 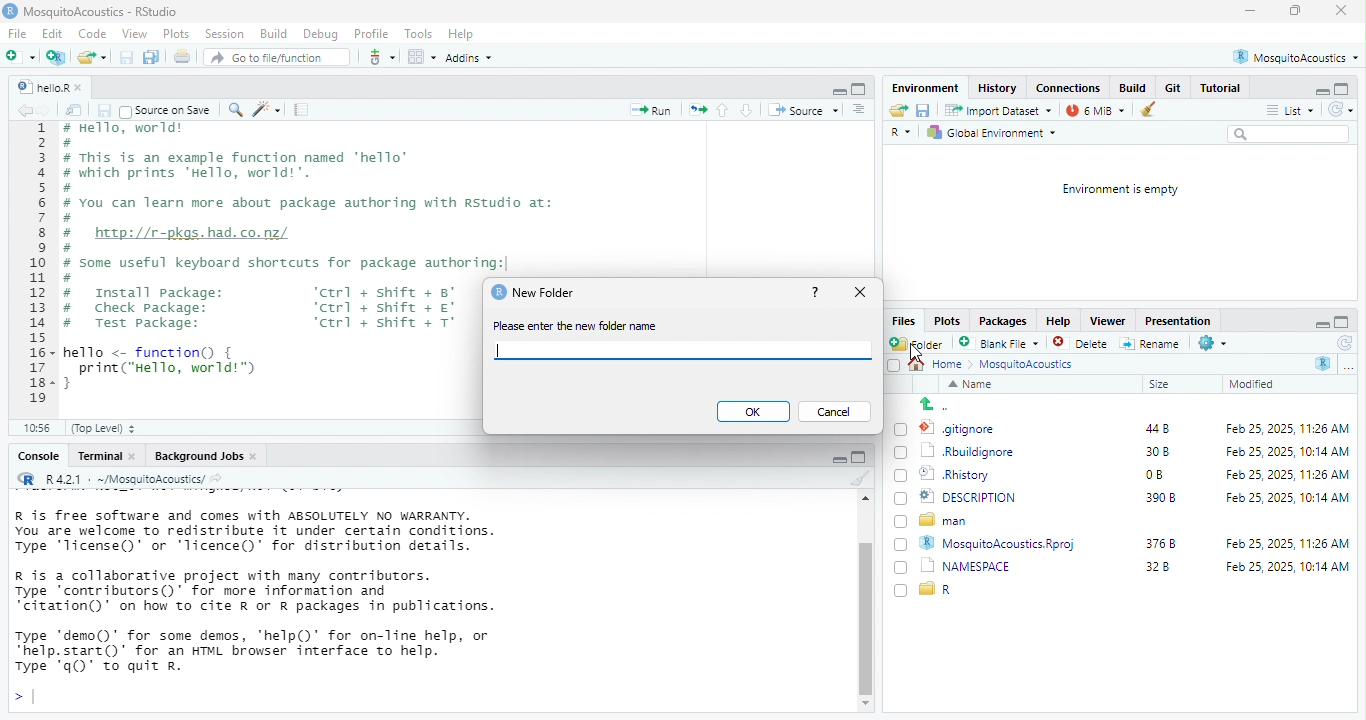 What do you see at coordinates (273, 33) in the screenshot?
I see `Build` at bounding box center [273, 33].